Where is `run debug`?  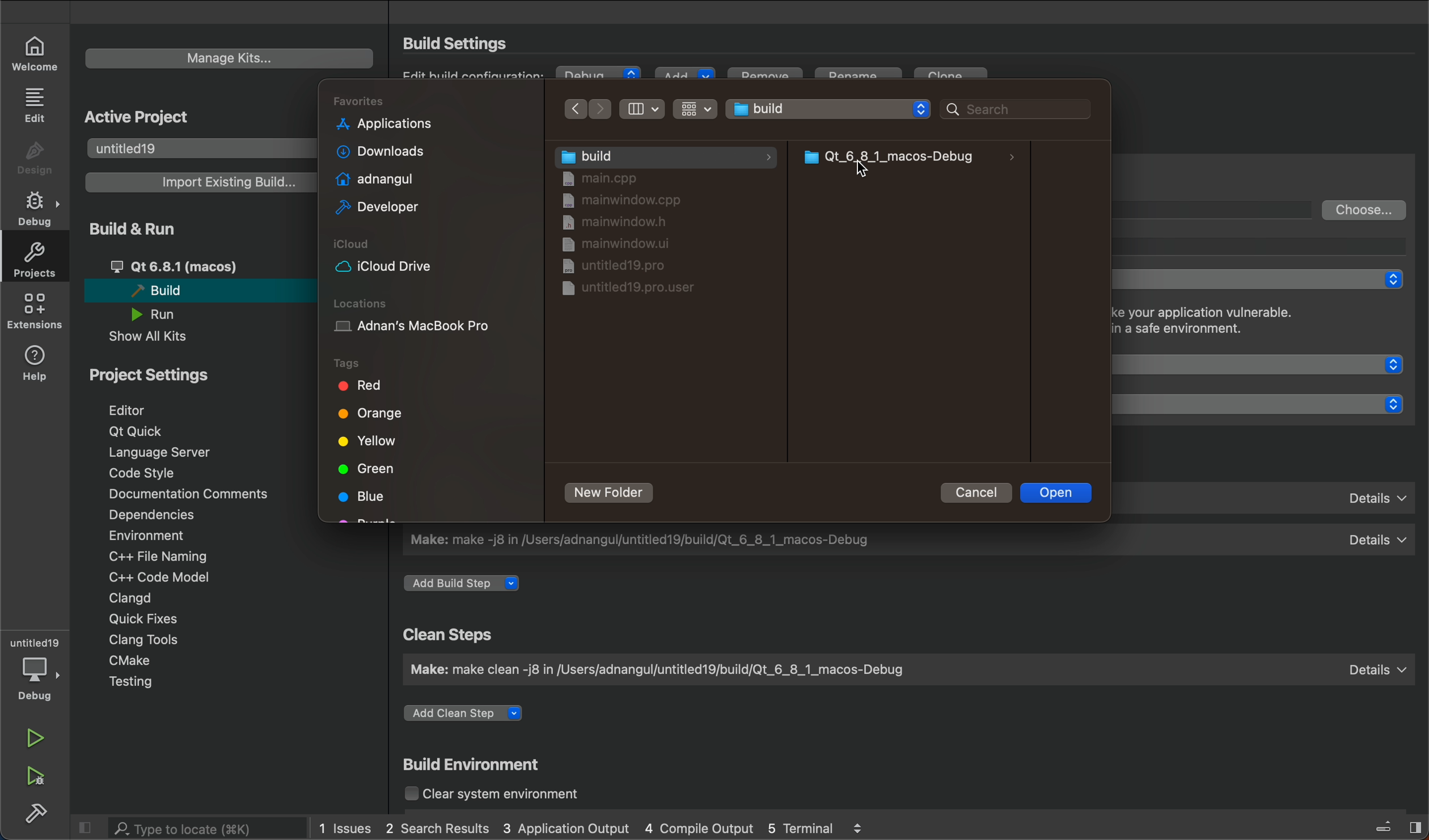 run debug is located at coordinates (37, 774).